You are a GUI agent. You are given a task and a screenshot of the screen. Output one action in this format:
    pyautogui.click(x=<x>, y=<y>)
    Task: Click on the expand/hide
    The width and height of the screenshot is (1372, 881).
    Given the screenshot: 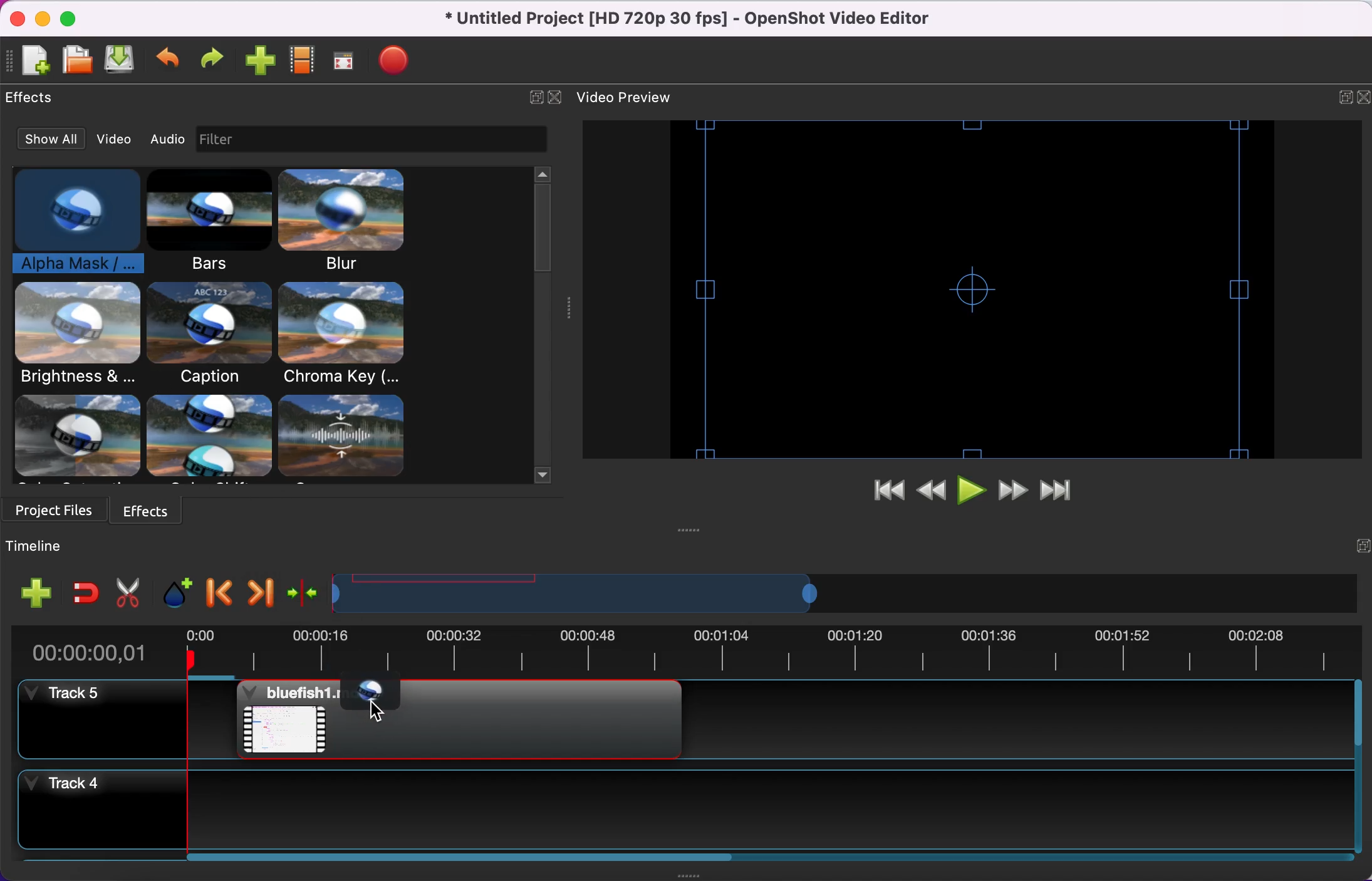 What is the action you would take?
    pyautogui.click(x=536, y=102)
    